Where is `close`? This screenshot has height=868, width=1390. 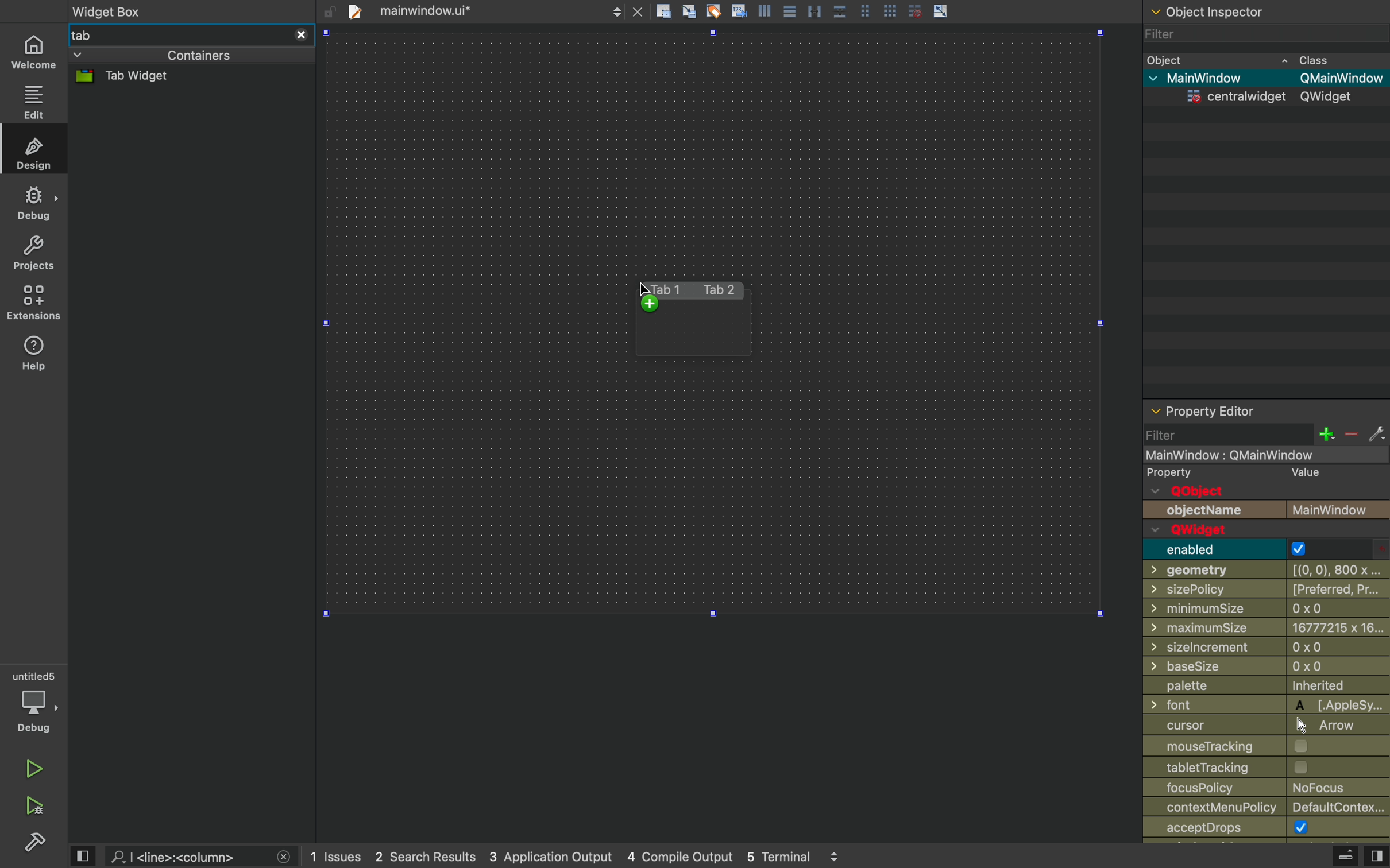
close is located at coordinates (284, 858).